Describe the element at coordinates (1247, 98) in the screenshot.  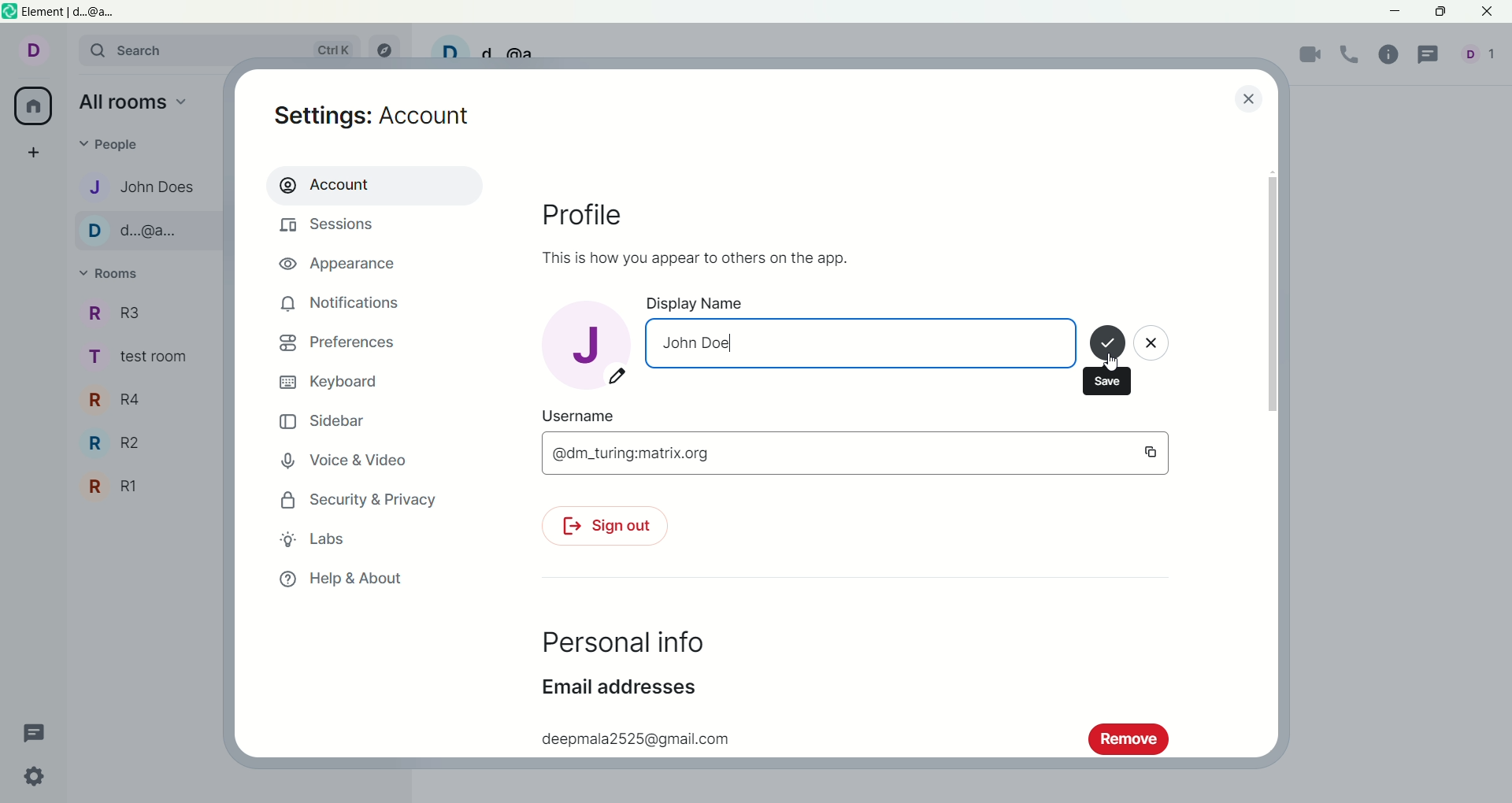
I see `close` at that location.